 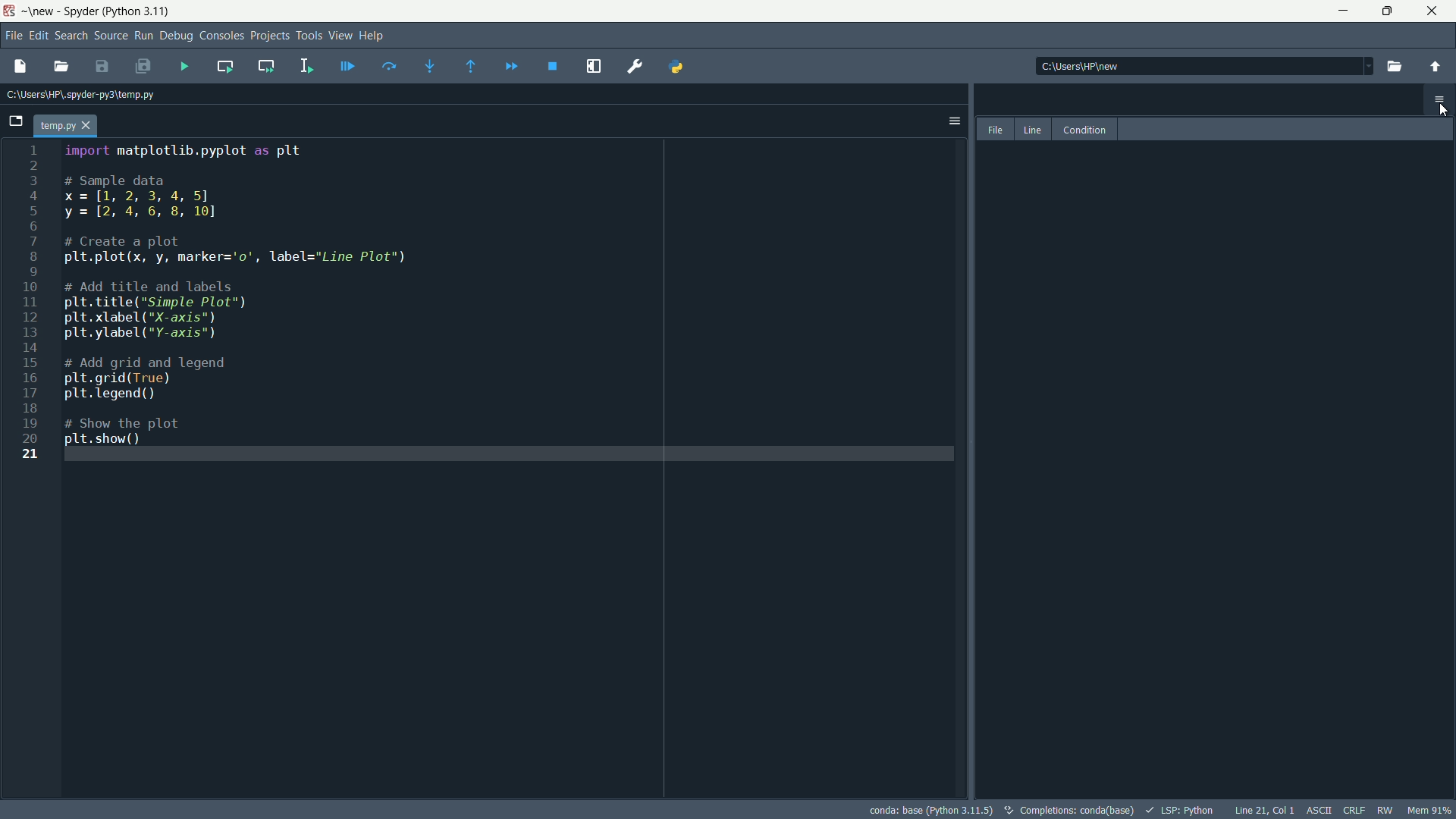 What do you see at coordinates (253, 298) in the screenshot?
I see `import matplotlib.pyplot as plt
# Sample data

x=[1, 2, 3, 4, 5]

y = [2, 4, 6, 8, 10]

# Create a plot

pLt.plot(x, y, marker='o', label="Line Plot")
# Add title and labels

lt. title(*Simple Plot")

Lt. xlabel ("X-axis")

pLt.ylabel ("Y-axis")

# Add grid and legend

lt. grid(True)

lt. legend ()

# Show the plot

p1t. show()` at bounding box center [253, 298].